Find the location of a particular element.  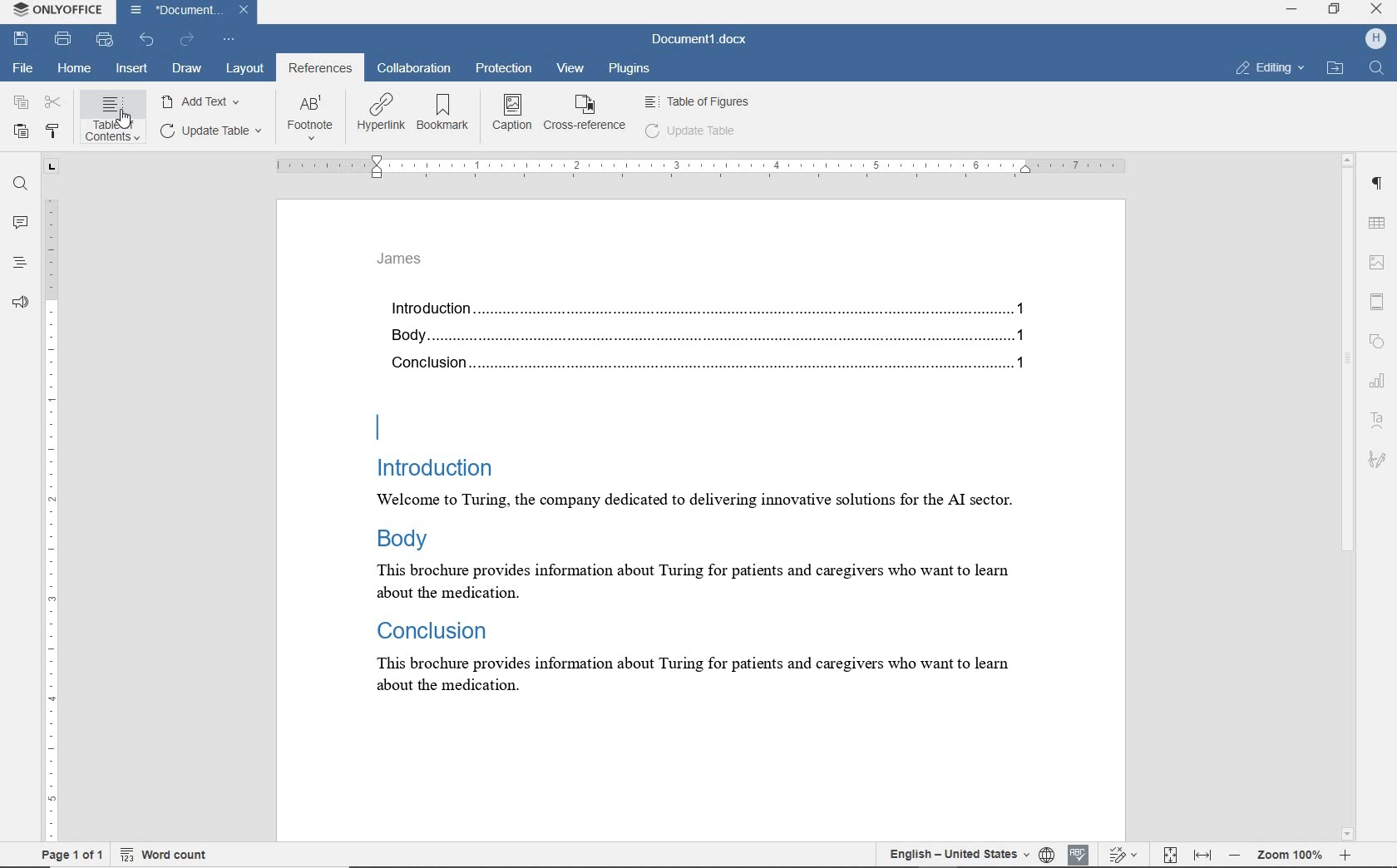

customize quick access toolbar is located at coordinates (230, 40).